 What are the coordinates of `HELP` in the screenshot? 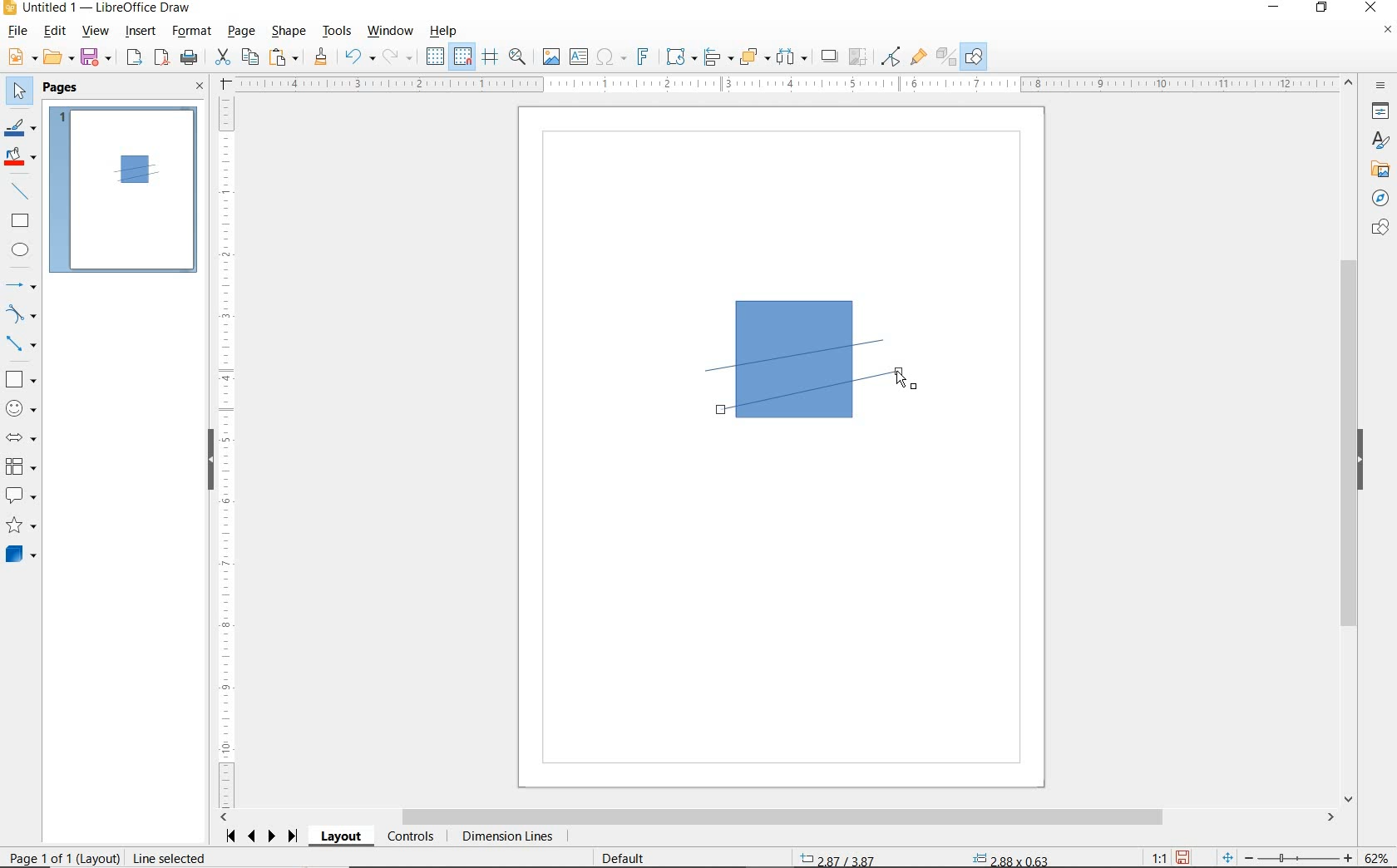 It's located at (447, 31).